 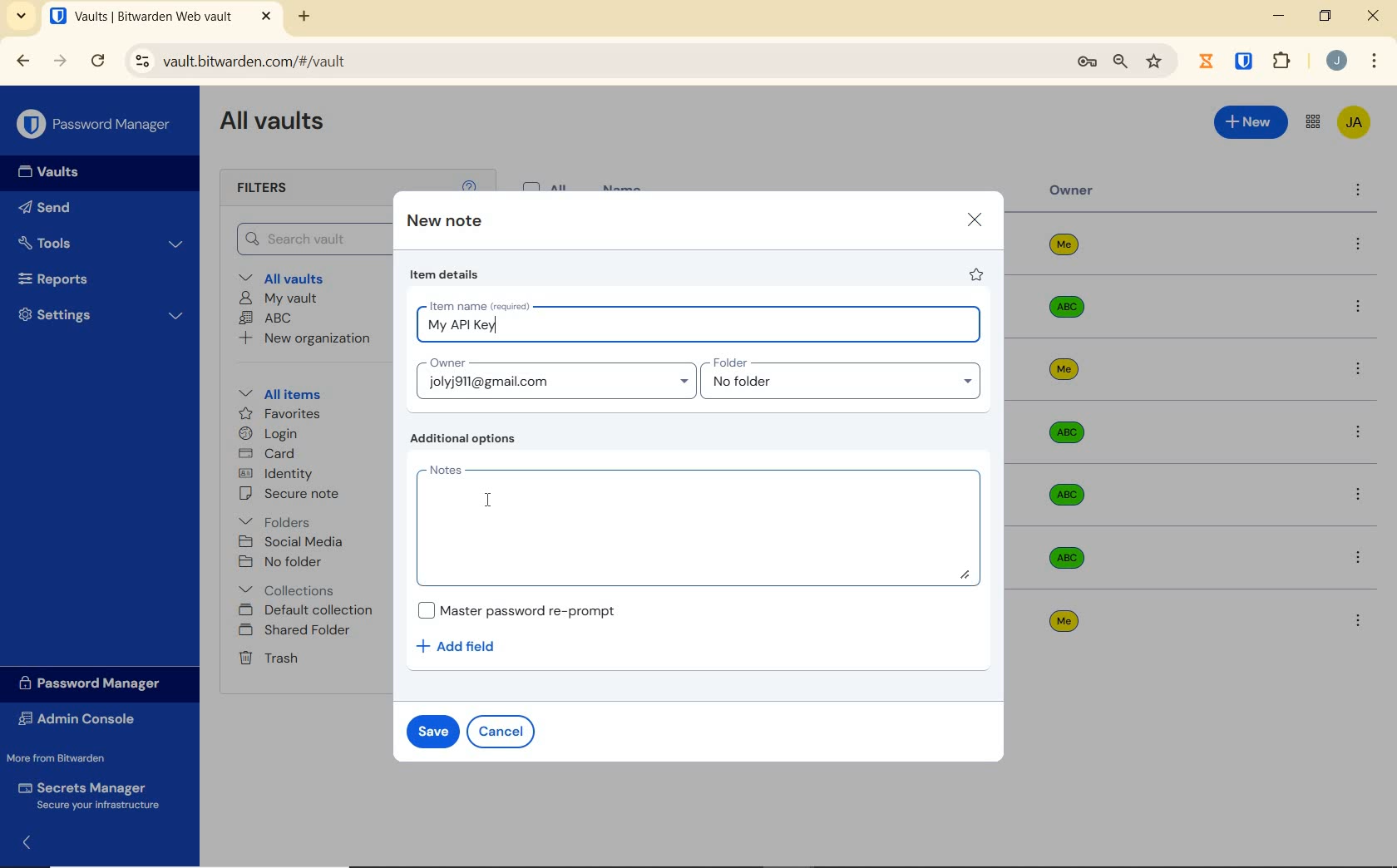 I want to click on My Vault, so click(x=280, y=298).